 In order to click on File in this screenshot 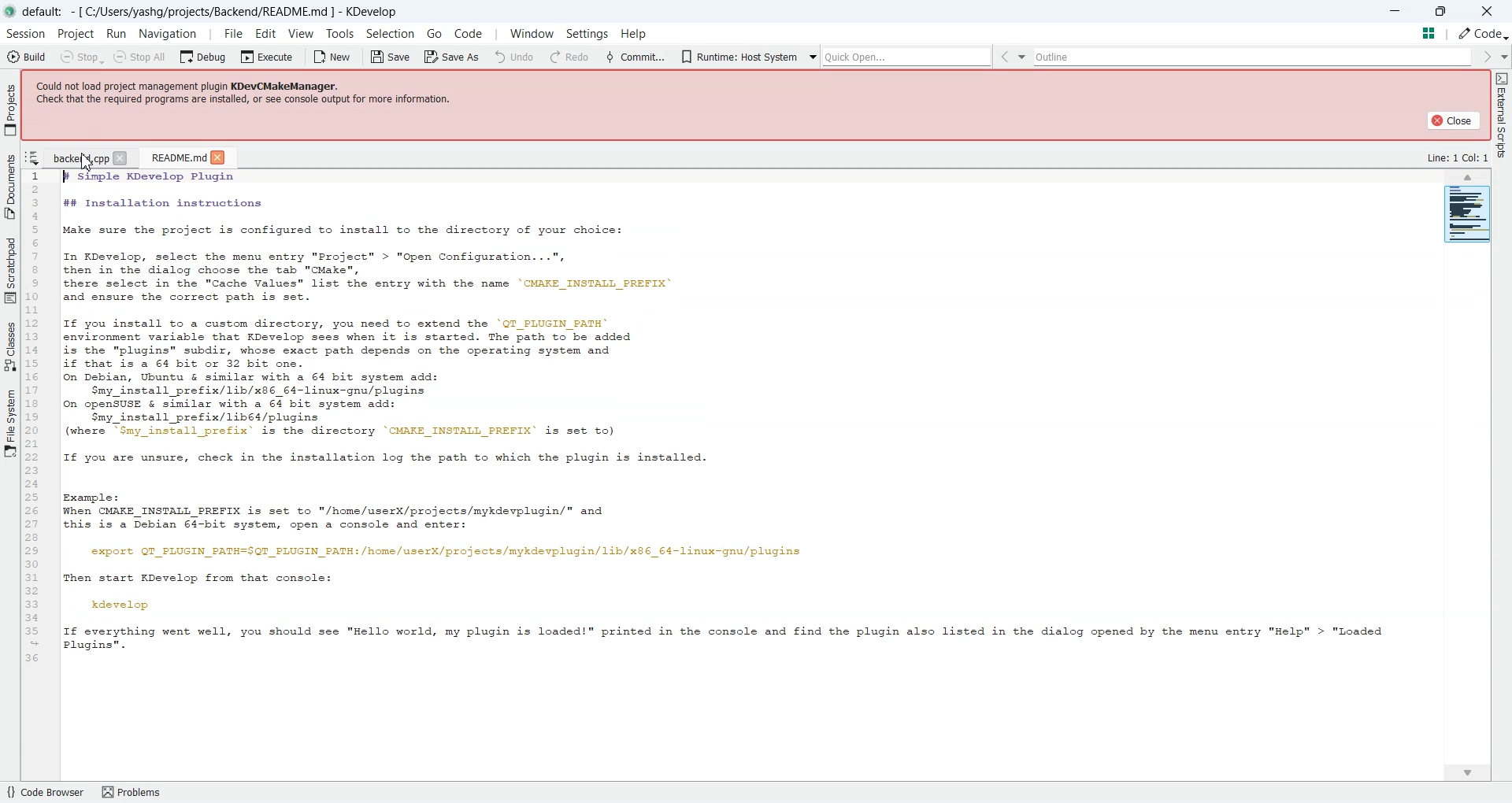, I will do `click(231, 34)`.